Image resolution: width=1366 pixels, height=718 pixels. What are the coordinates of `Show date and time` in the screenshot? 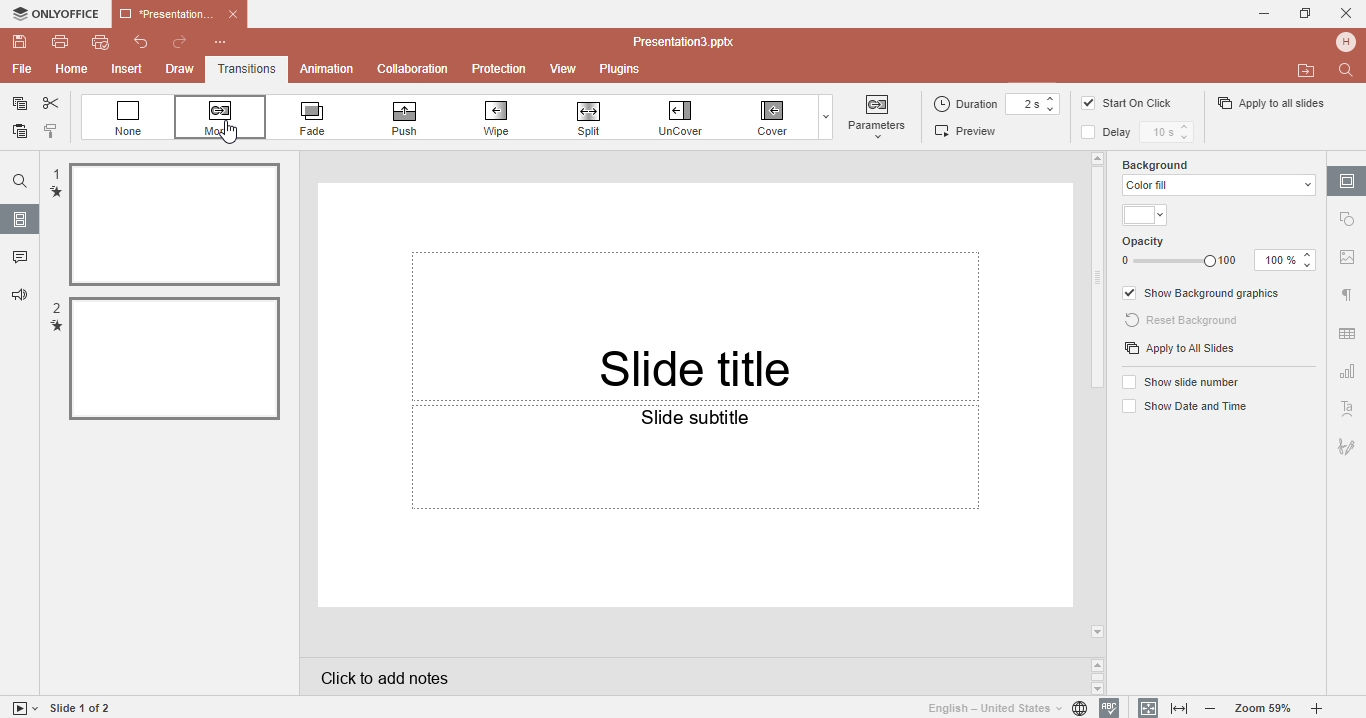 It's located at (1182, 408).